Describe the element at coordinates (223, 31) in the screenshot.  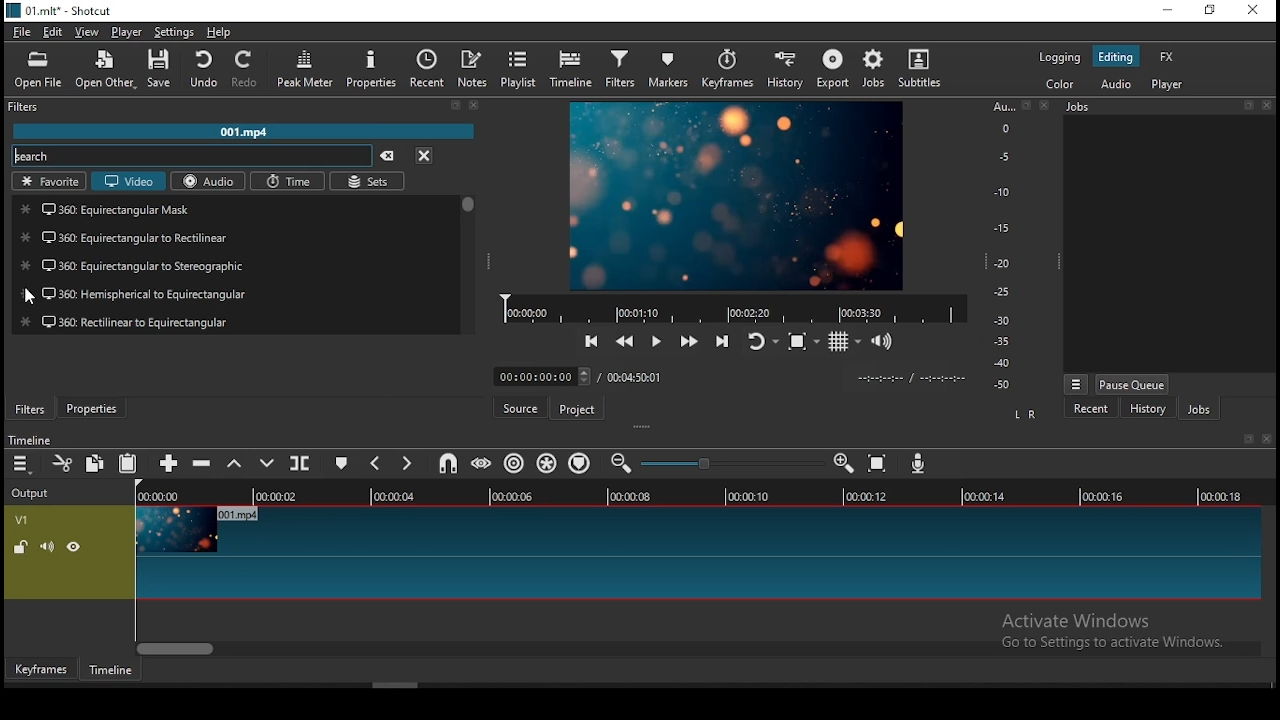
I see `help` at that location.